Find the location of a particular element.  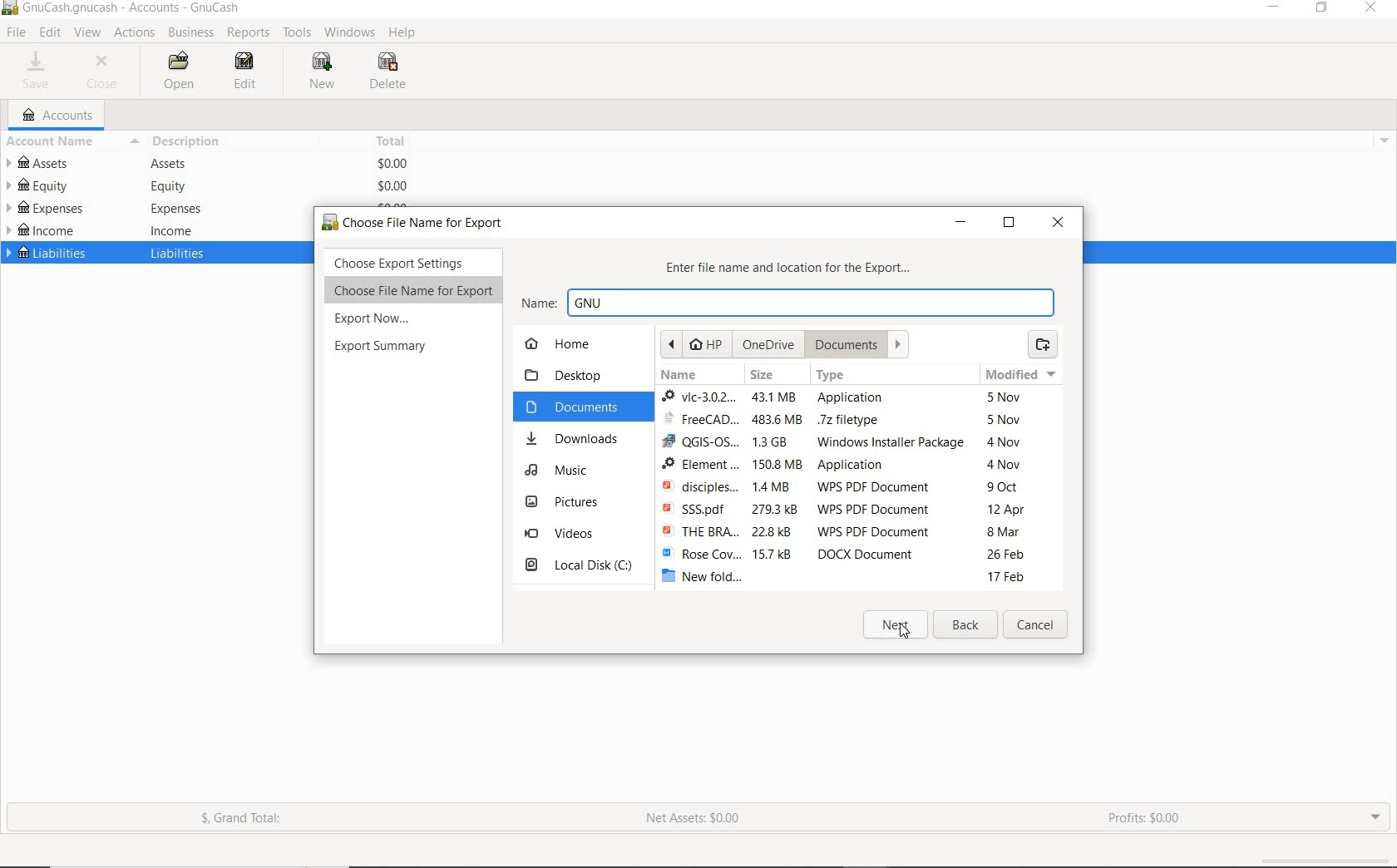

PROFITS is located at coordinates (1145, 817).